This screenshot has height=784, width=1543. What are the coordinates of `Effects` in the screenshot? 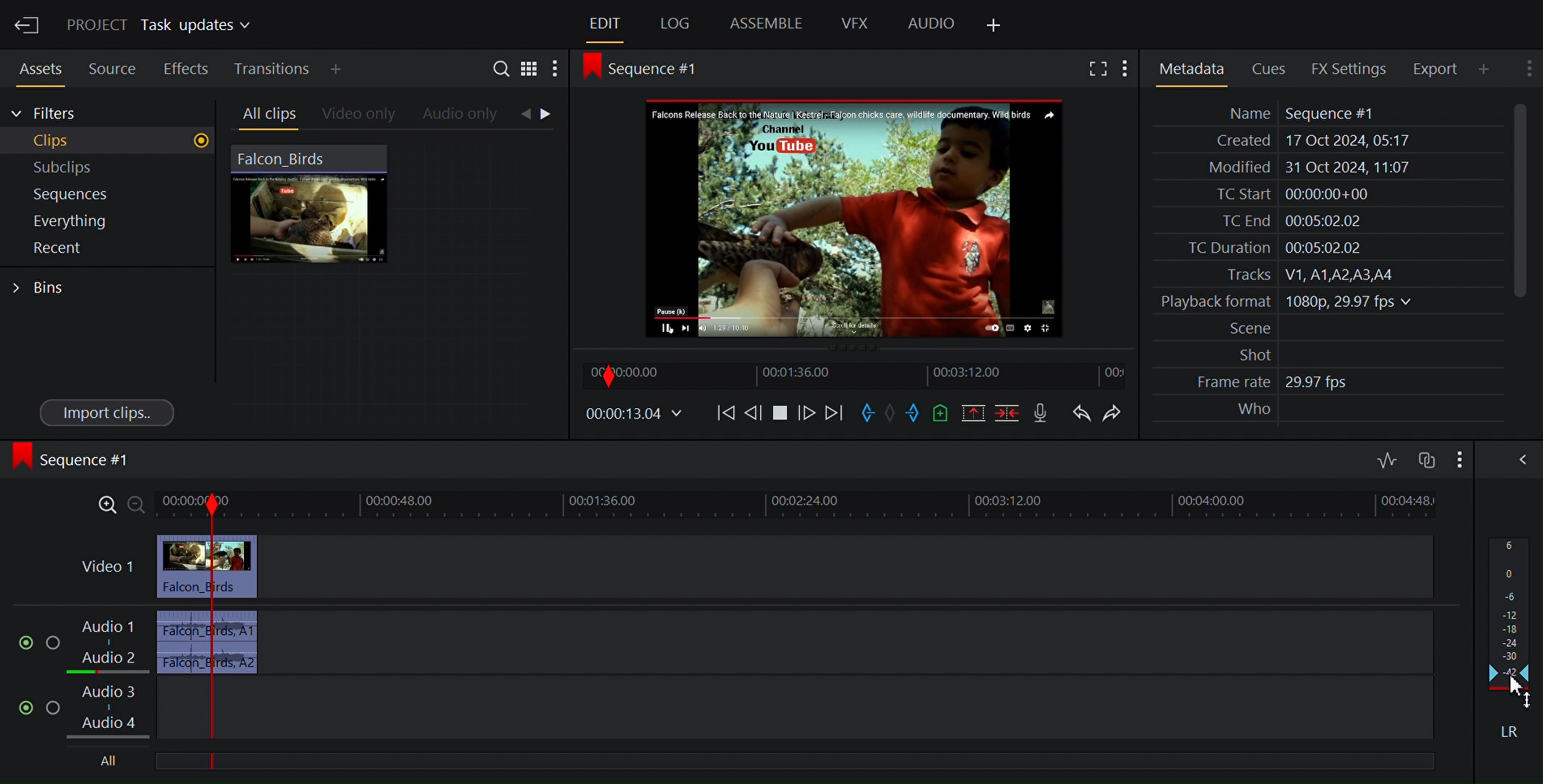 It's located at (186, 69).